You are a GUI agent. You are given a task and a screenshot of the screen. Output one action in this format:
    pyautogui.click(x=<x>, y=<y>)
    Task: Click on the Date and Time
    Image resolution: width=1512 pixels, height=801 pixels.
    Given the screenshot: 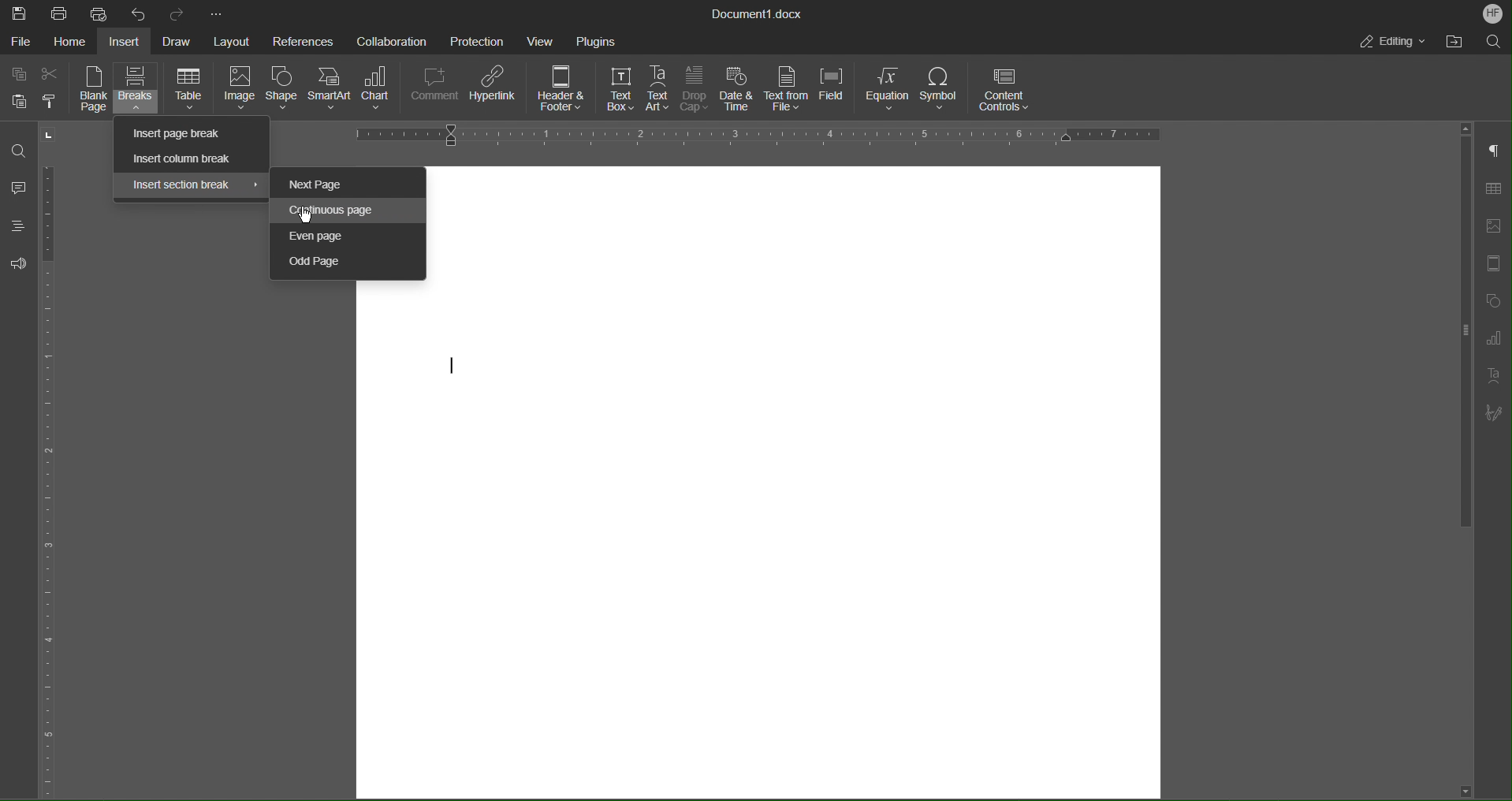 What is the action you would take?
    pyautogui.click(x=738, y=89)
    